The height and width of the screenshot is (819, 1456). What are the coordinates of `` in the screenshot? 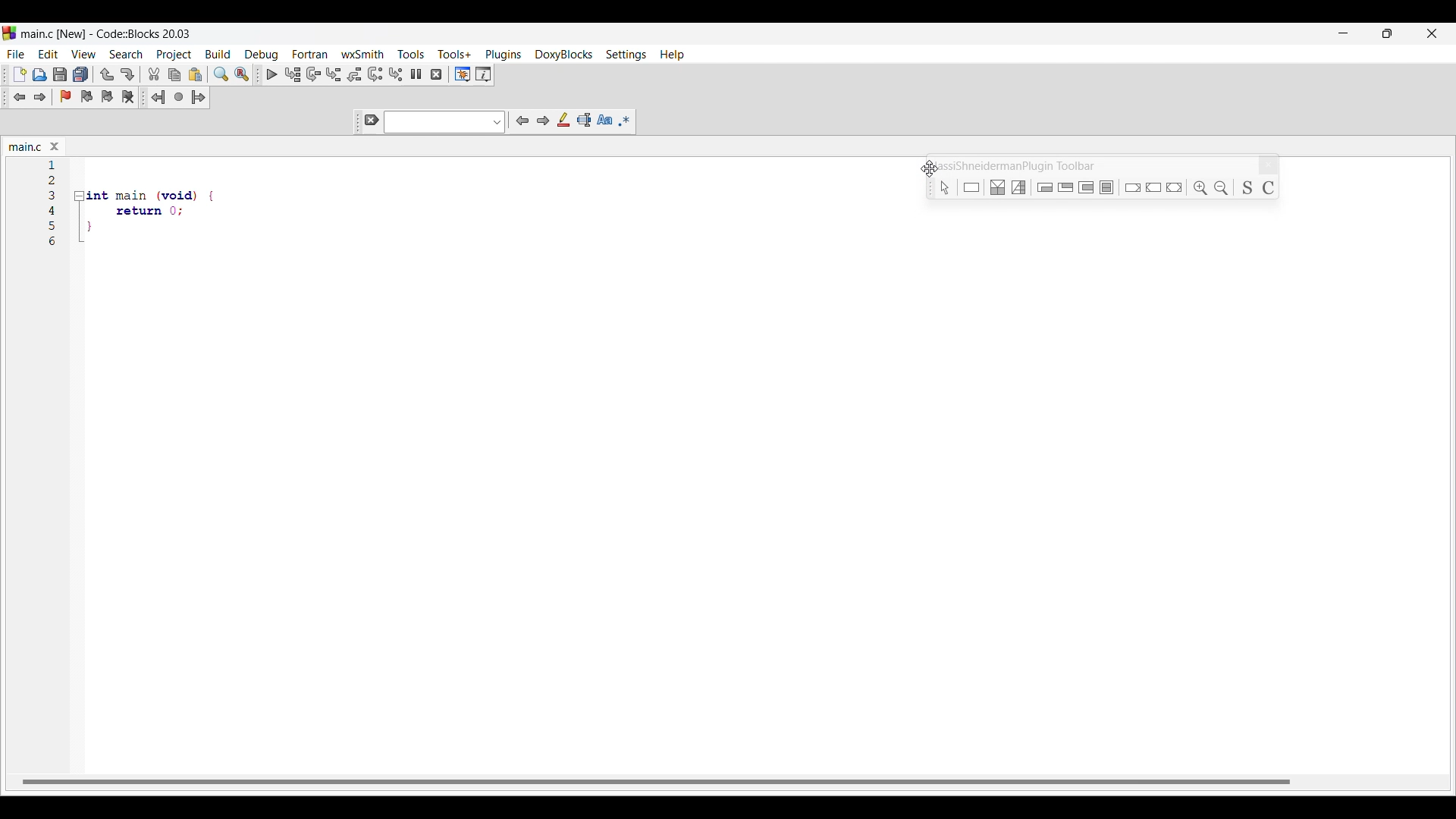 It's located at (138, 211).